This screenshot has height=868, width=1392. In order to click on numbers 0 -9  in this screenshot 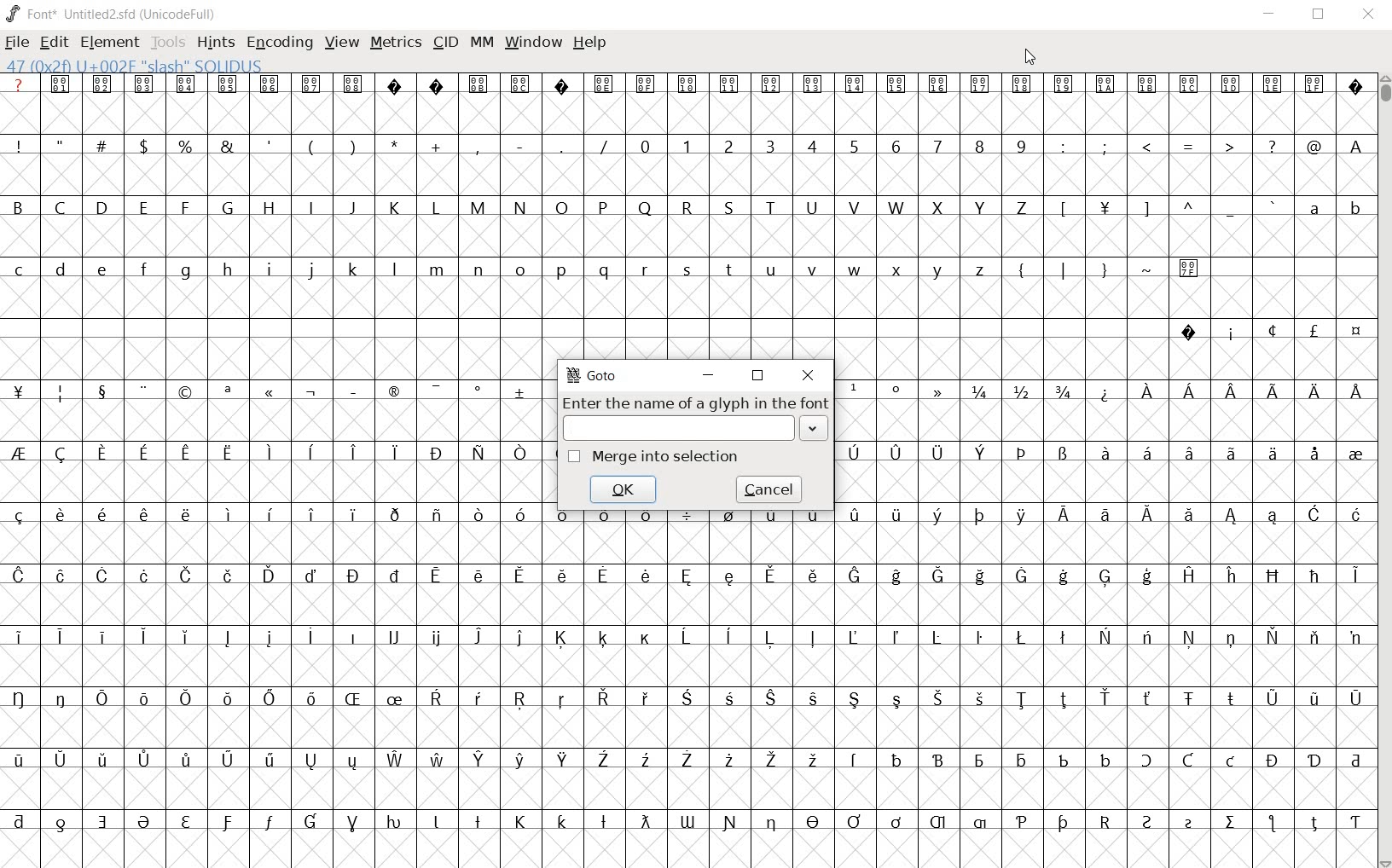, I will do `click(837, 144)`.